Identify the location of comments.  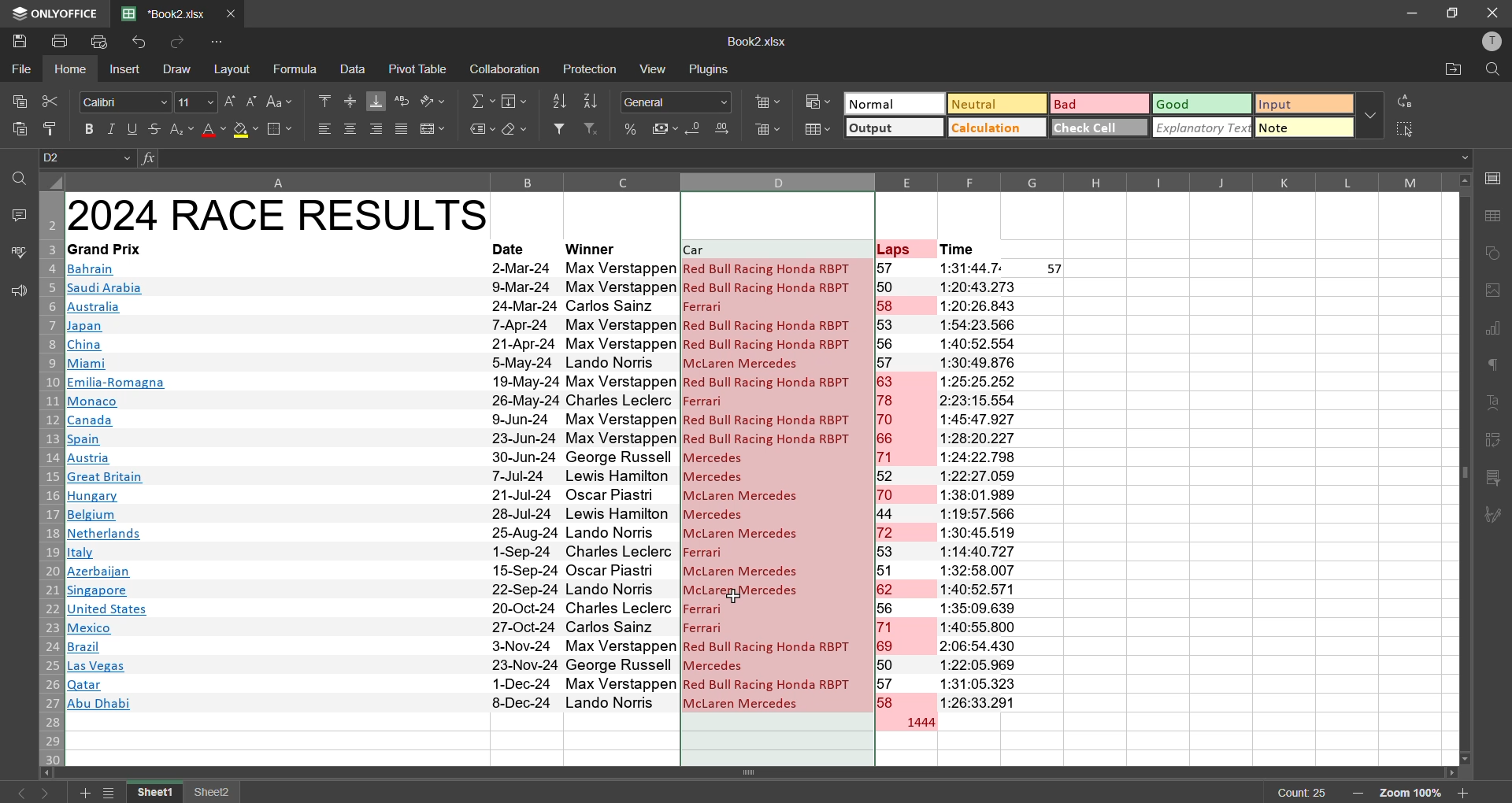
(17, 213).